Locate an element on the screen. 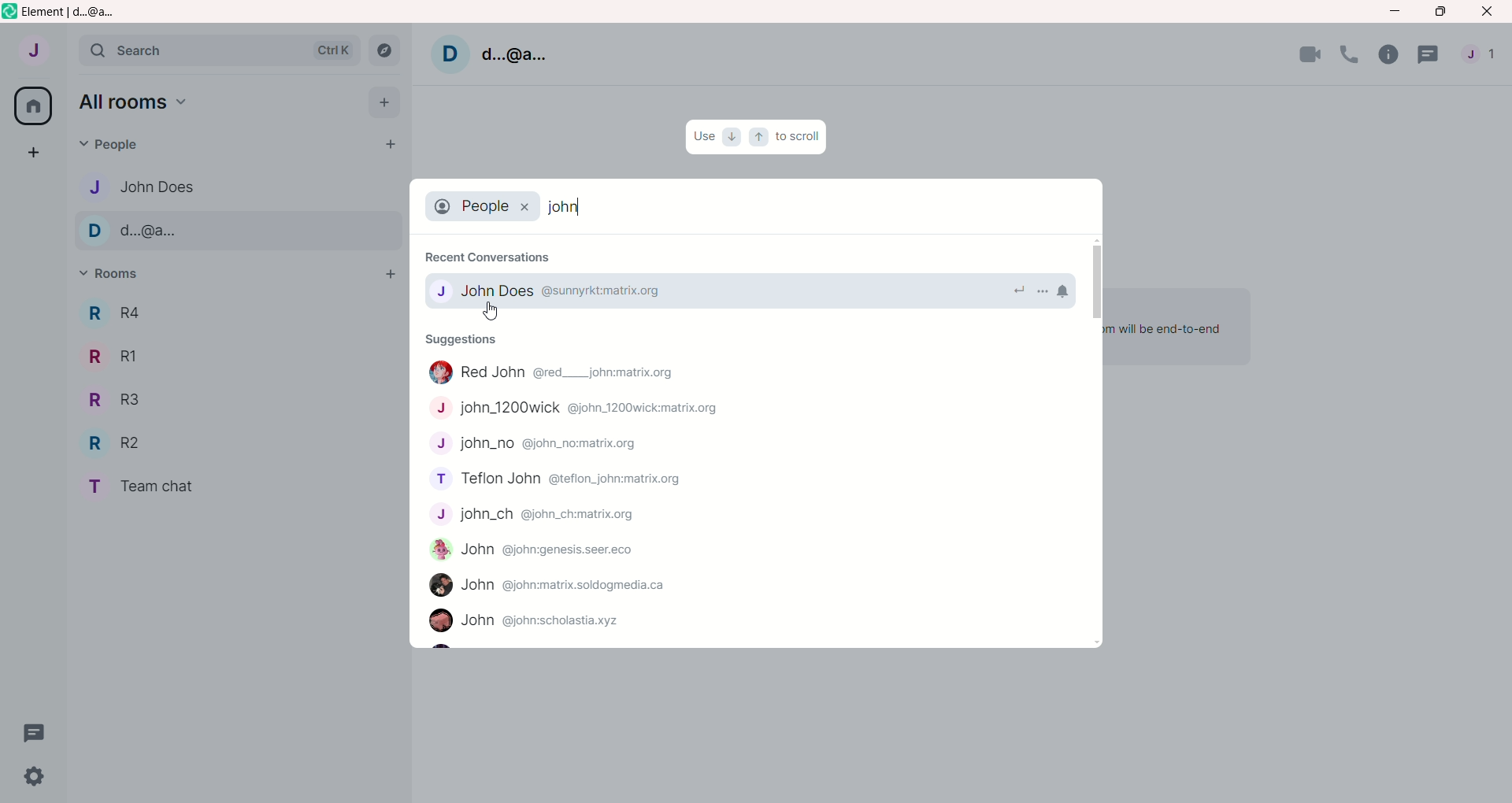 The height and width of the screenshot is (803, 1512). team chat is located at coordinates (152, 488).